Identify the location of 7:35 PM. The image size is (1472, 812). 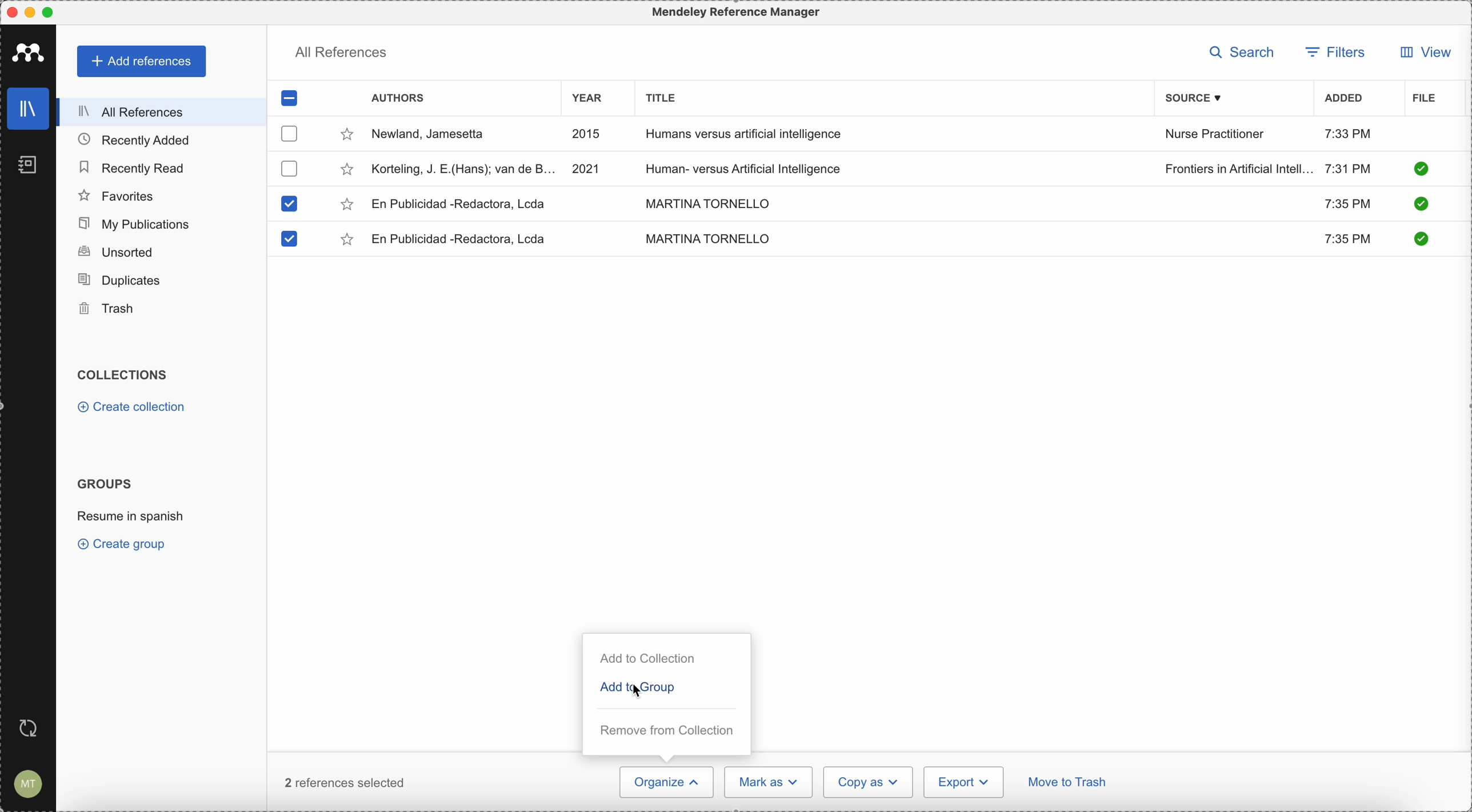
(1346, 202).